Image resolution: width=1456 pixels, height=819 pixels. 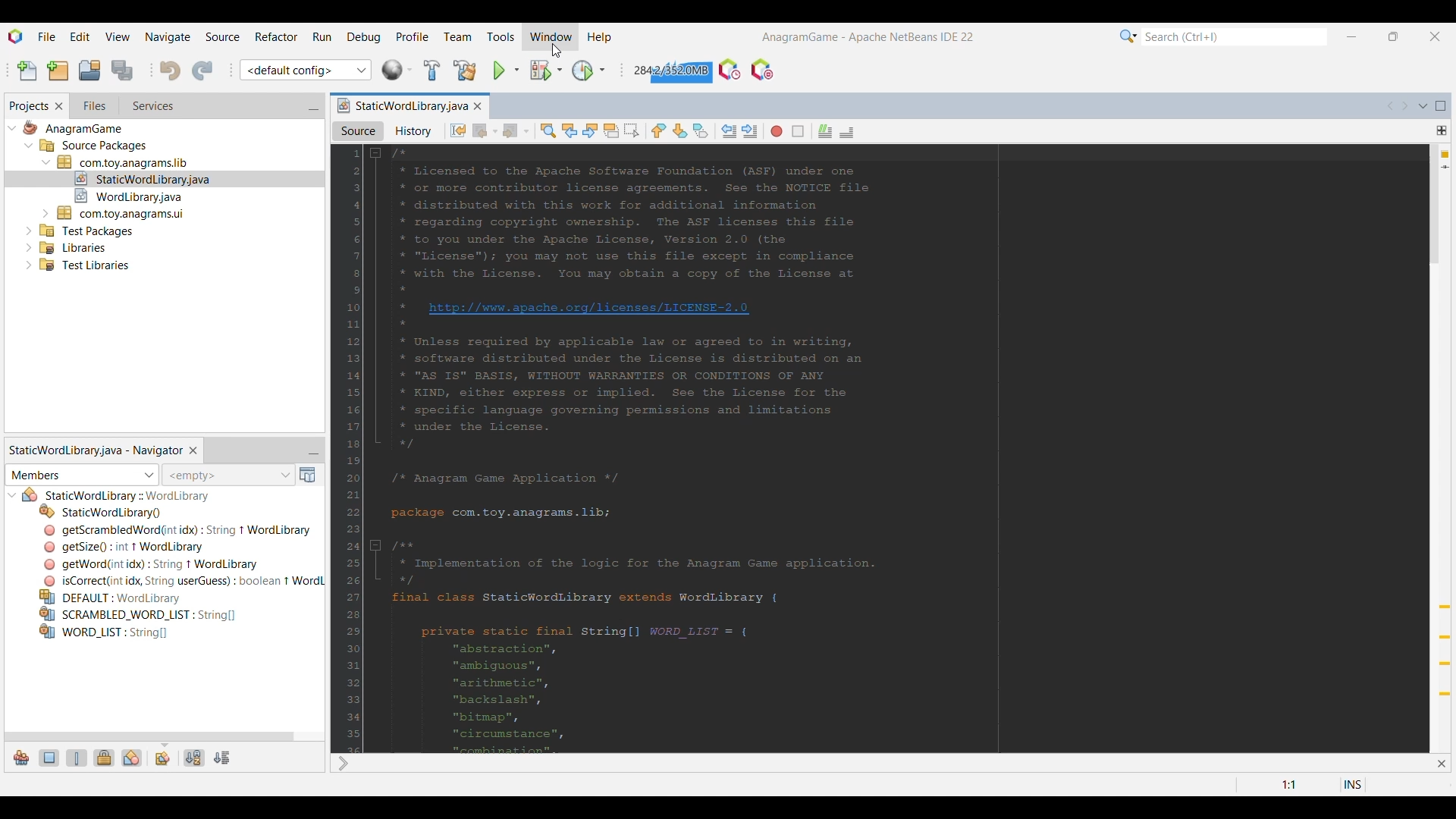 I want to click on cursor, so click(x=557, y=50).